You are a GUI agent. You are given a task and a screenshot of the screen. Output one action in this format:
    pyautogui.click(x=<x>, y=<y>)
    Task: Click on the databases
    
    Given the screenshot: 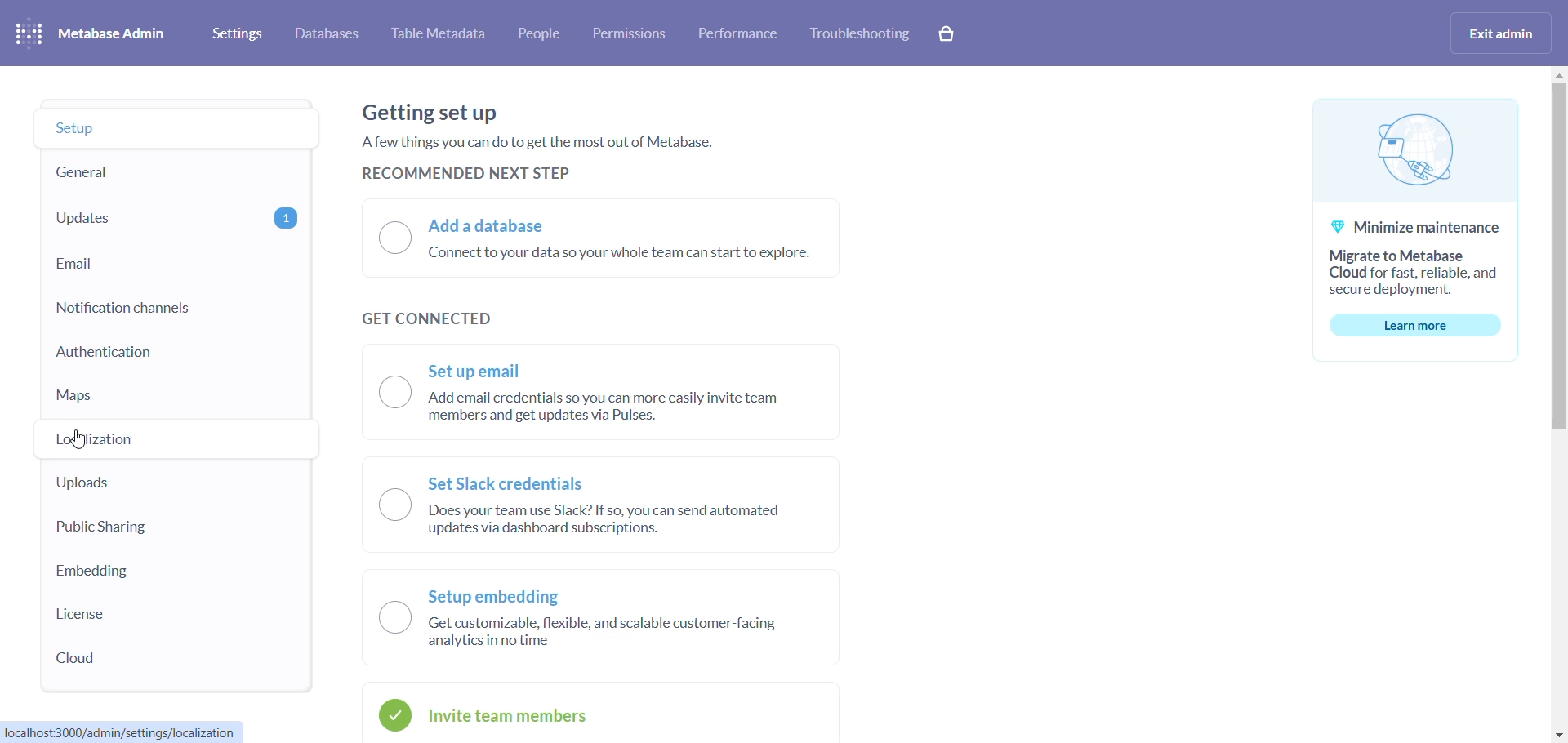 What is the action you would take?
    pyautogui.click(x=325, y=33)
    